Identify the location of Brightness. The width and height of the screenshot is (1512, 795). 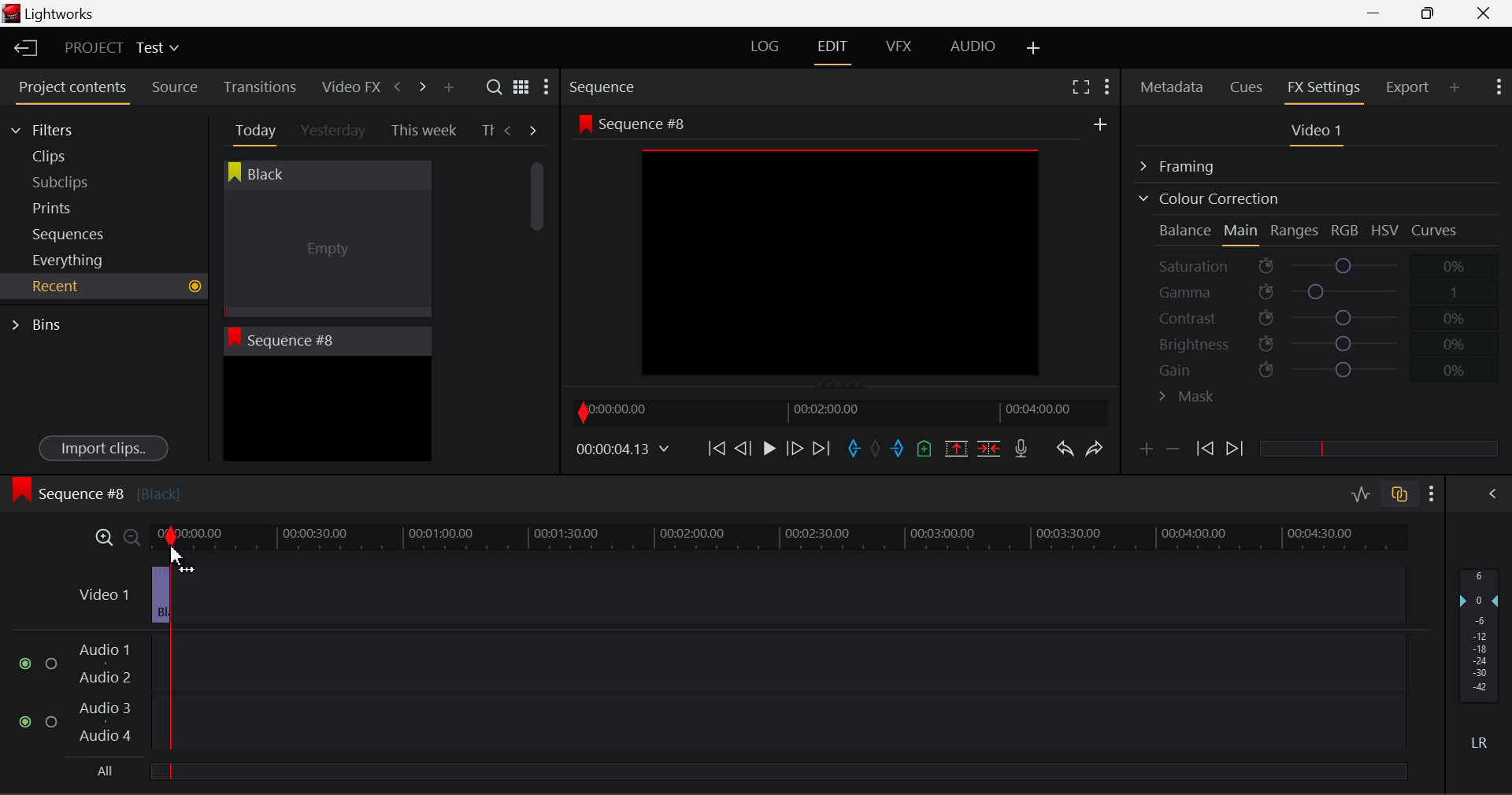
(1318, 341).